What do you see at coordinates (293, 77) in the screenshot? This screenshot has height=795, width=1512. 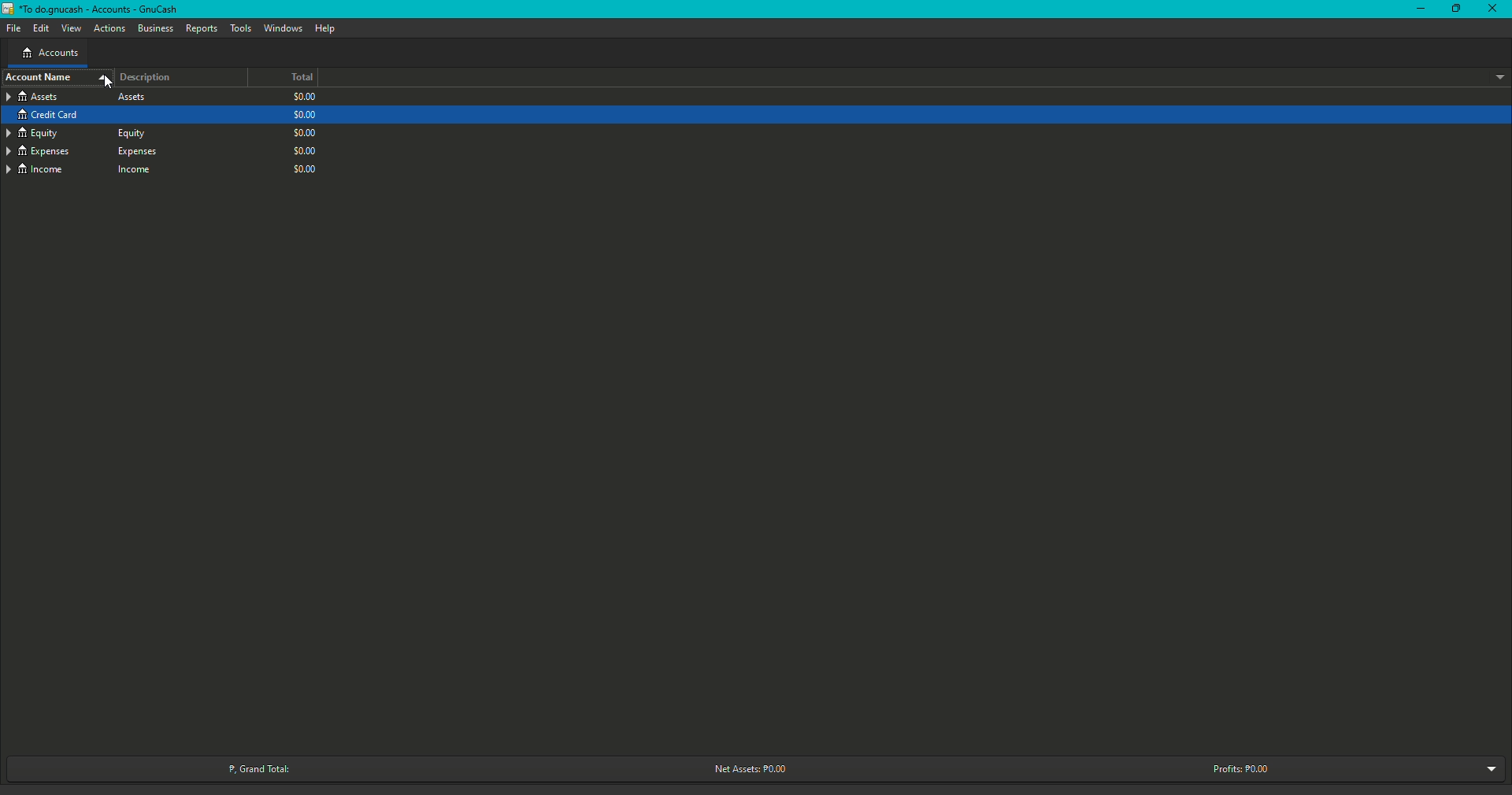 I see `Total` at bounding box center [293, 77].